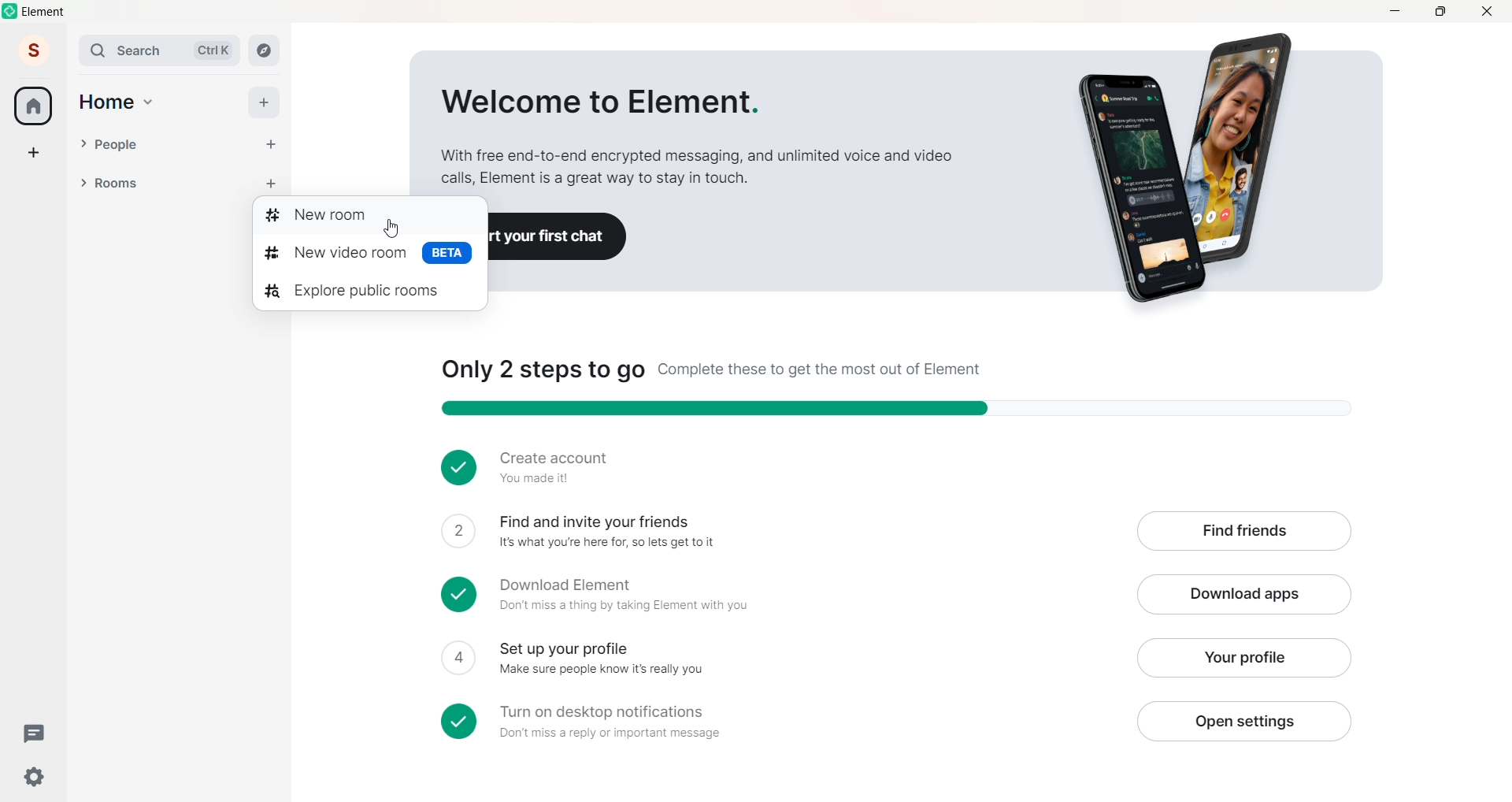 The height and width of the screenshot is (802, 1512). Describe the element at coordinates (34, 50) in the screenshot. I see `Account` at that location.